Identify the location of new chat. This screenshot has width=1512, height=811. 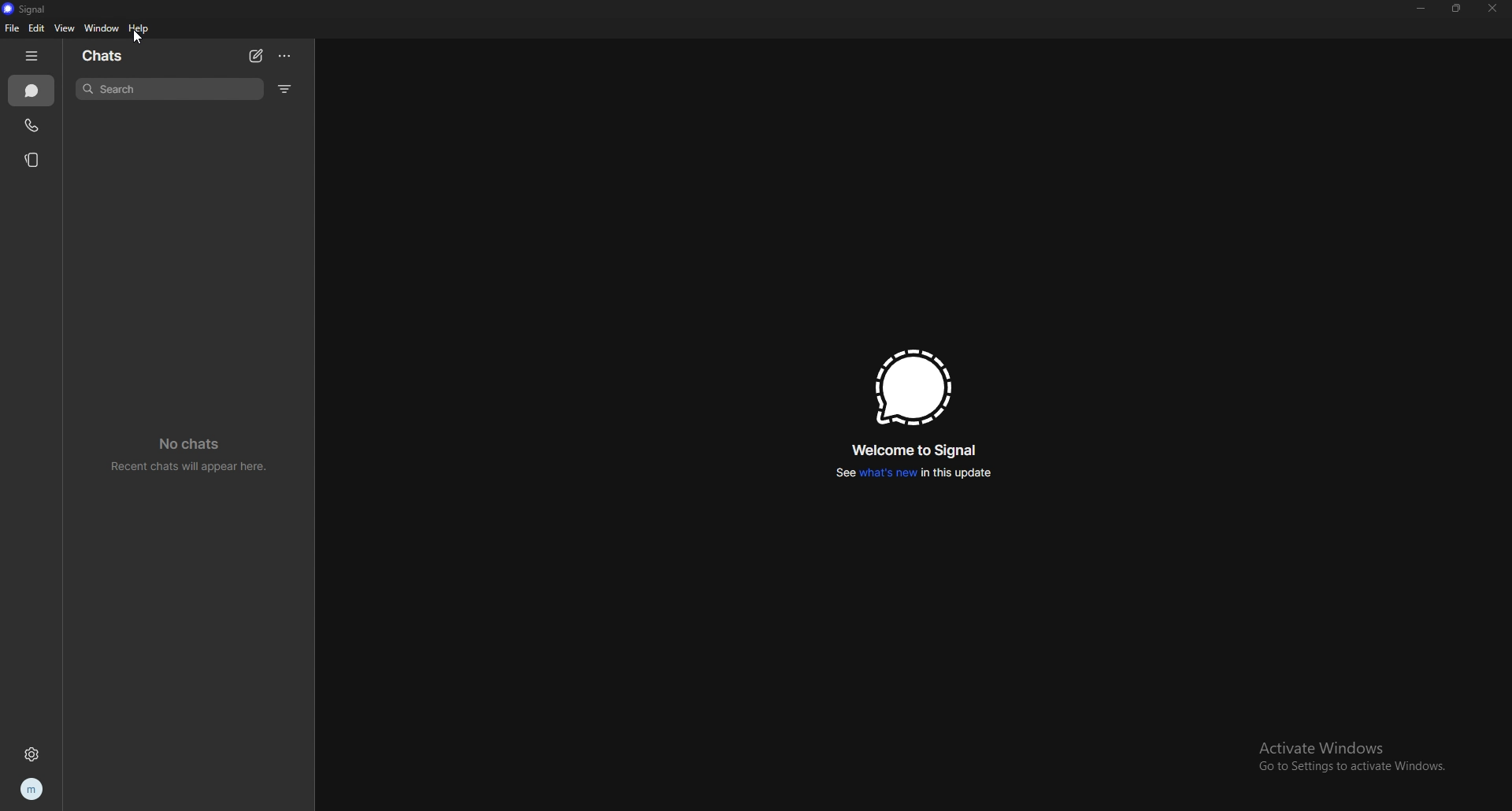
(256, 57).